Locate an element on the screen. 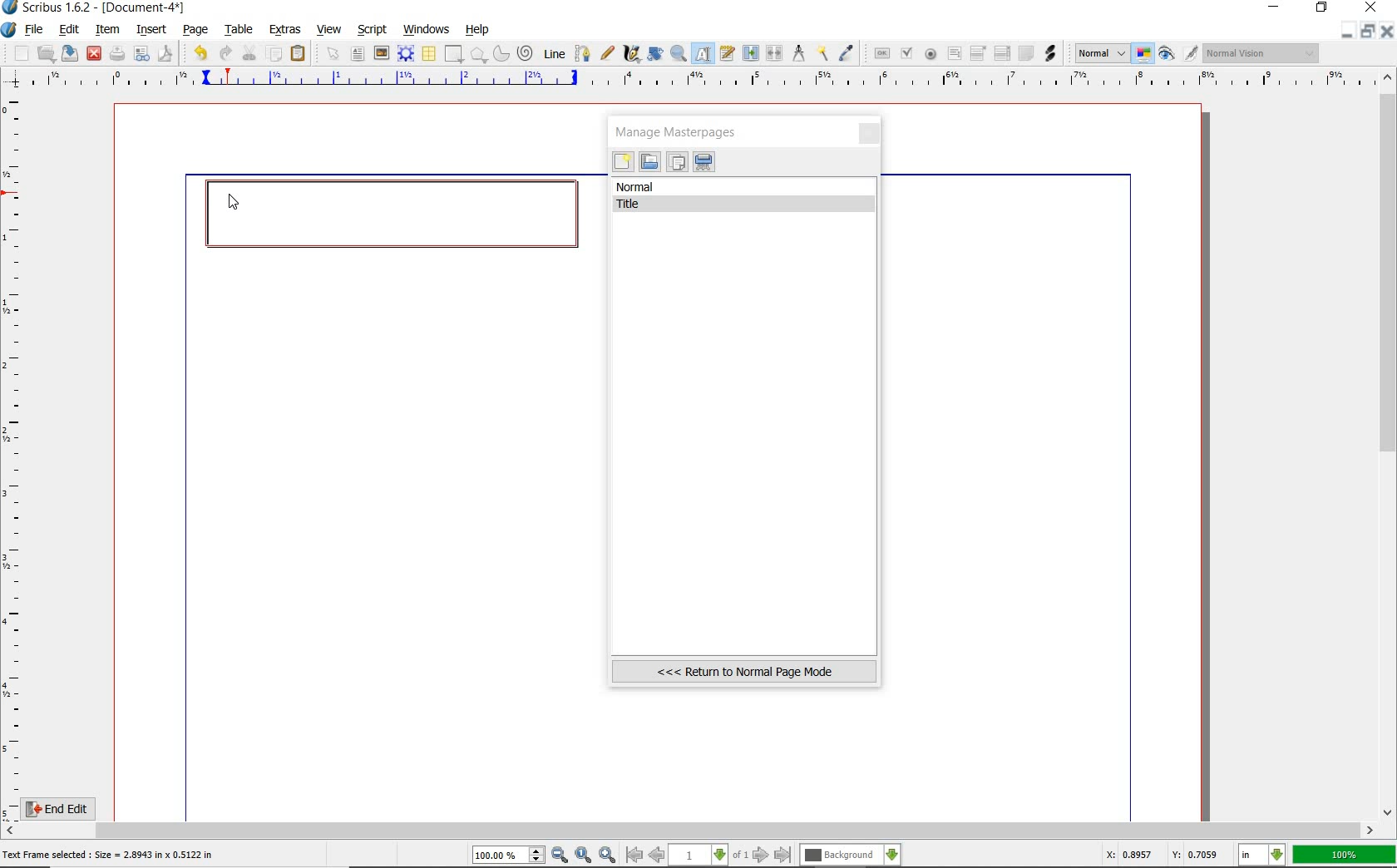 The image size is (1397, 868). close is located at coordinates (94, 52).